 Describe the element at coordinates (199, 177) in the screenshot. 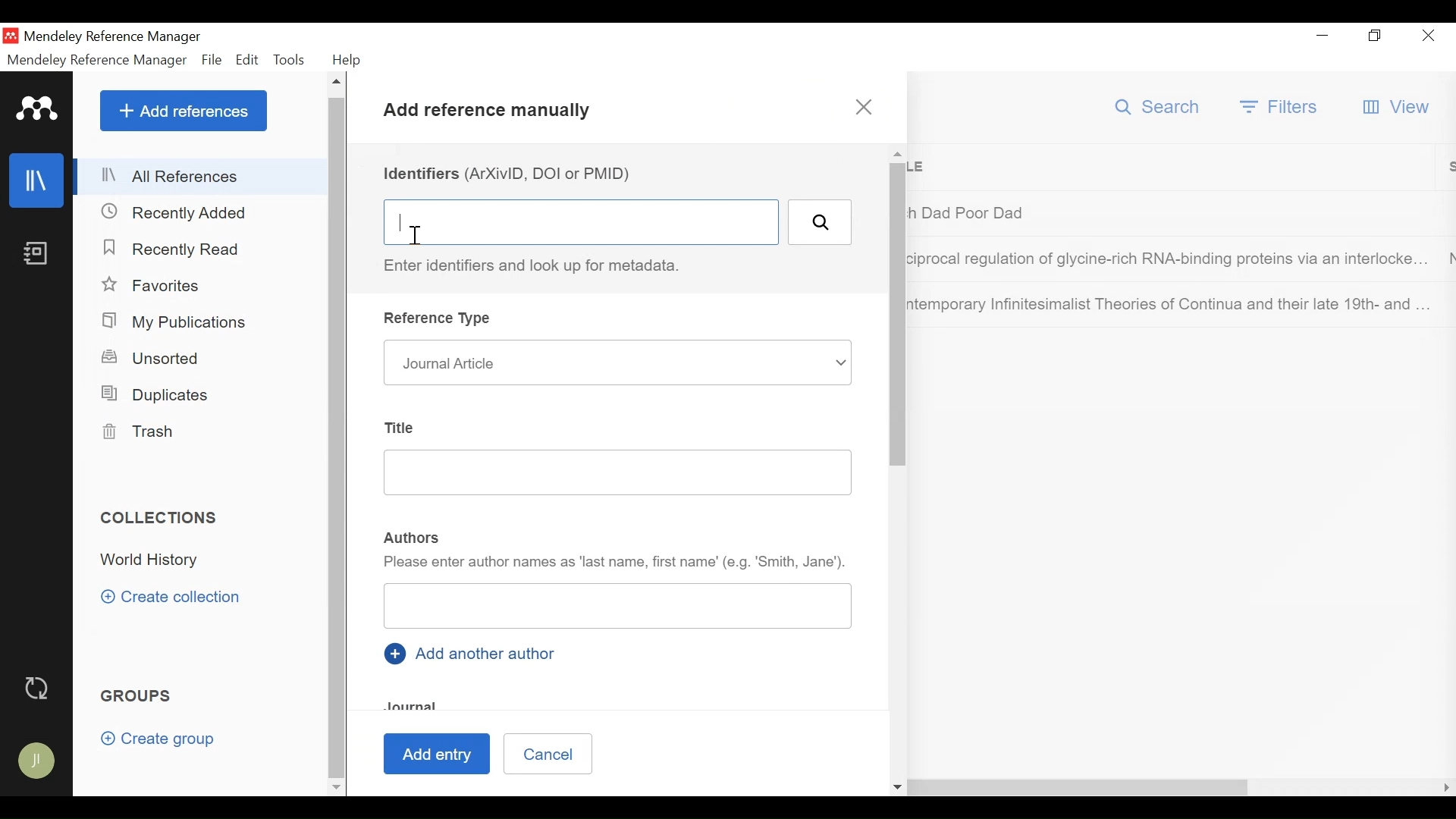

I see `All References` at that location.